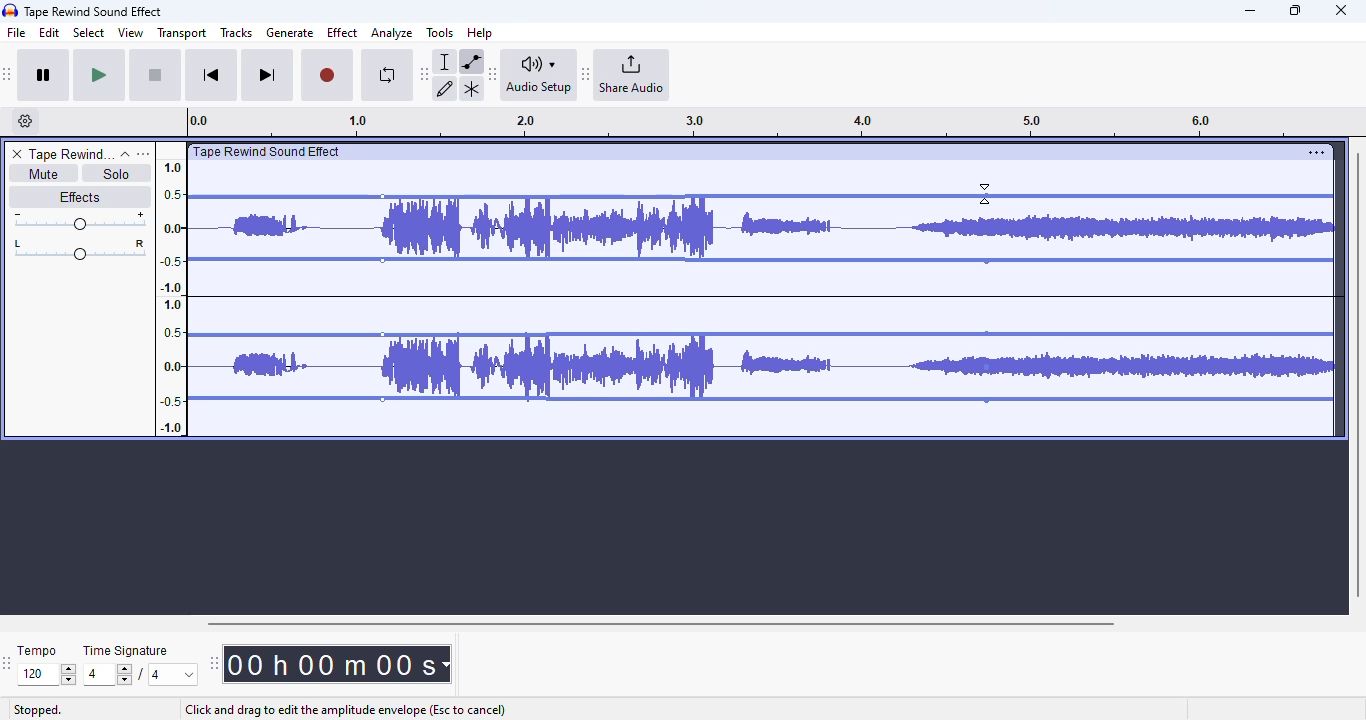 The image size is (1366, 720). What do you see at coordinates (684, 291) in the screenshot?
I see `Volume of track reduced` at bounding box center [684, 291].